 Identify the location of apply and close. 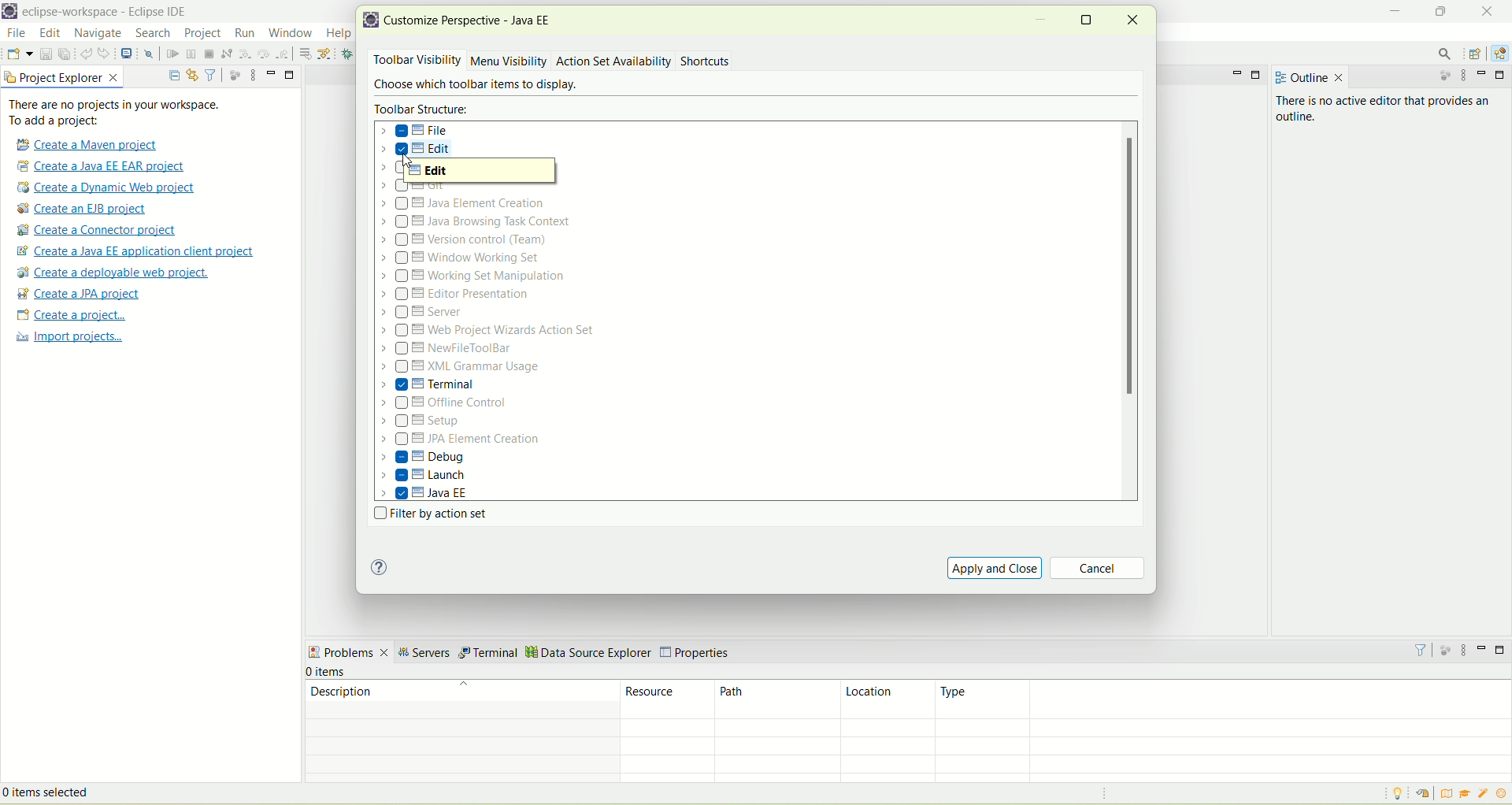
(995, 567).